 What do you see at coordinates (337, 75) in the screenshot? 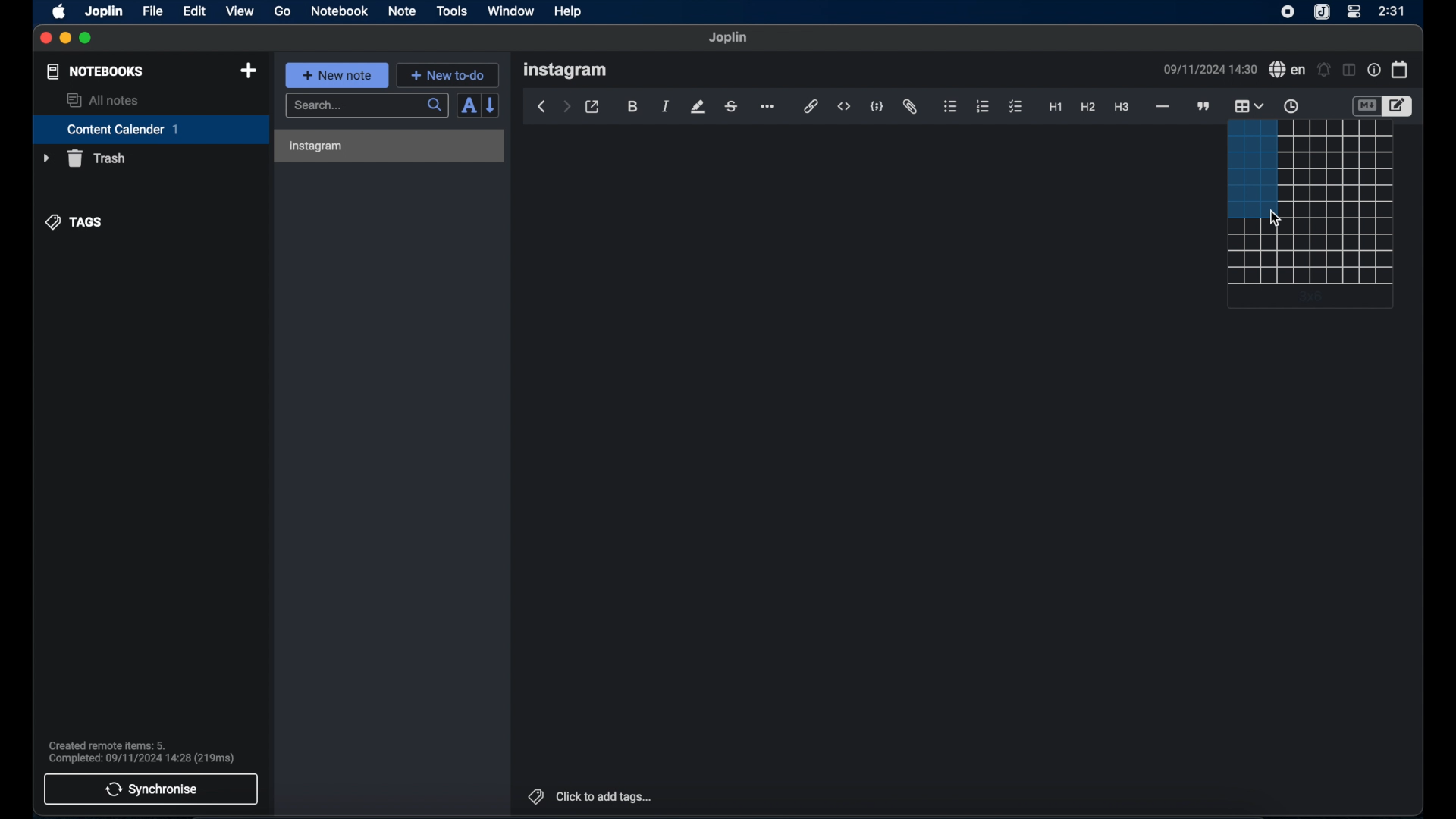
I see `new note` at bounding box center [337, 75].